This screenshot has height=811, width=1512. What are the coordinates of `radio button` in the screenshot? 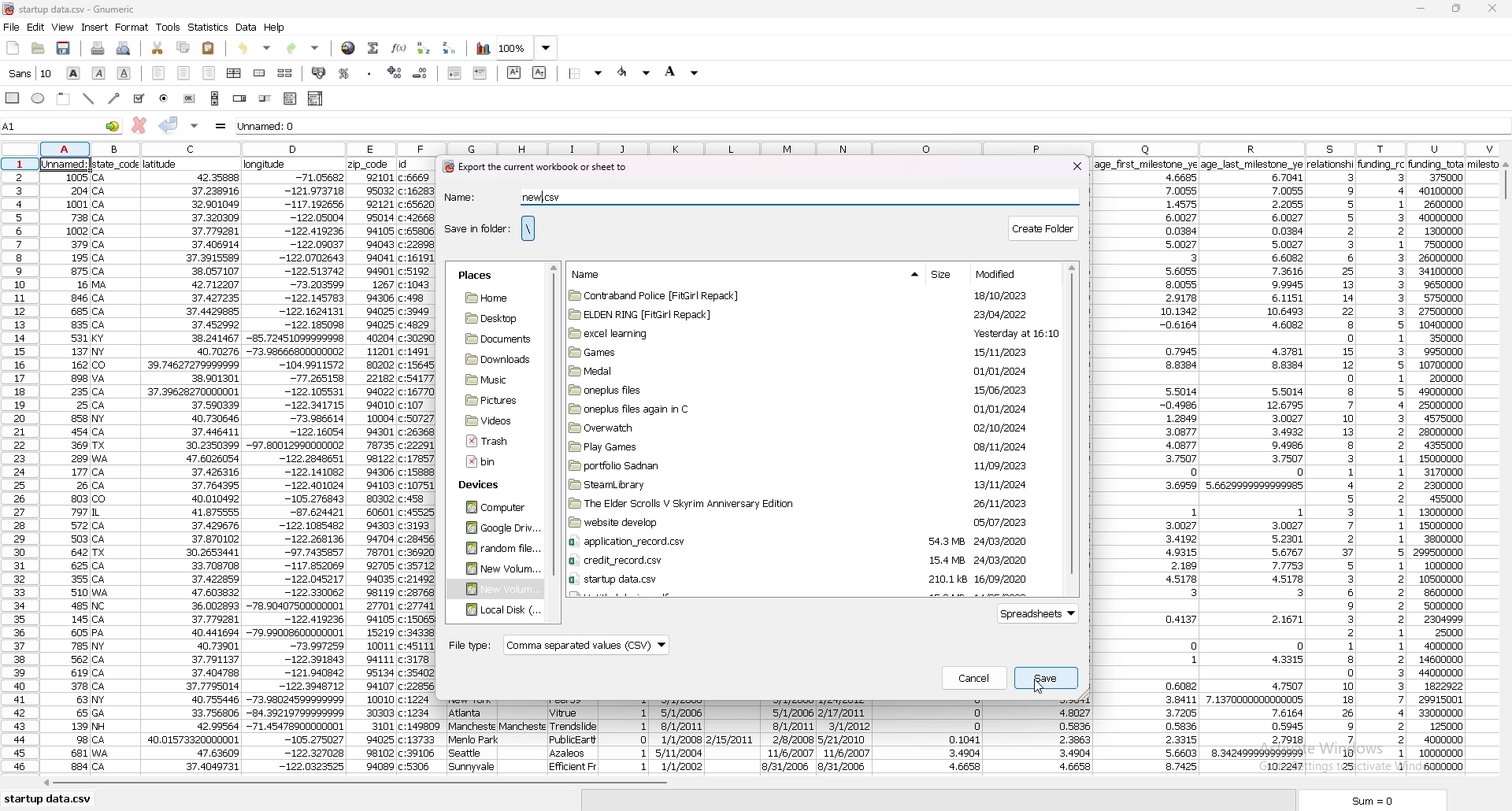 It's located at (165, 98).